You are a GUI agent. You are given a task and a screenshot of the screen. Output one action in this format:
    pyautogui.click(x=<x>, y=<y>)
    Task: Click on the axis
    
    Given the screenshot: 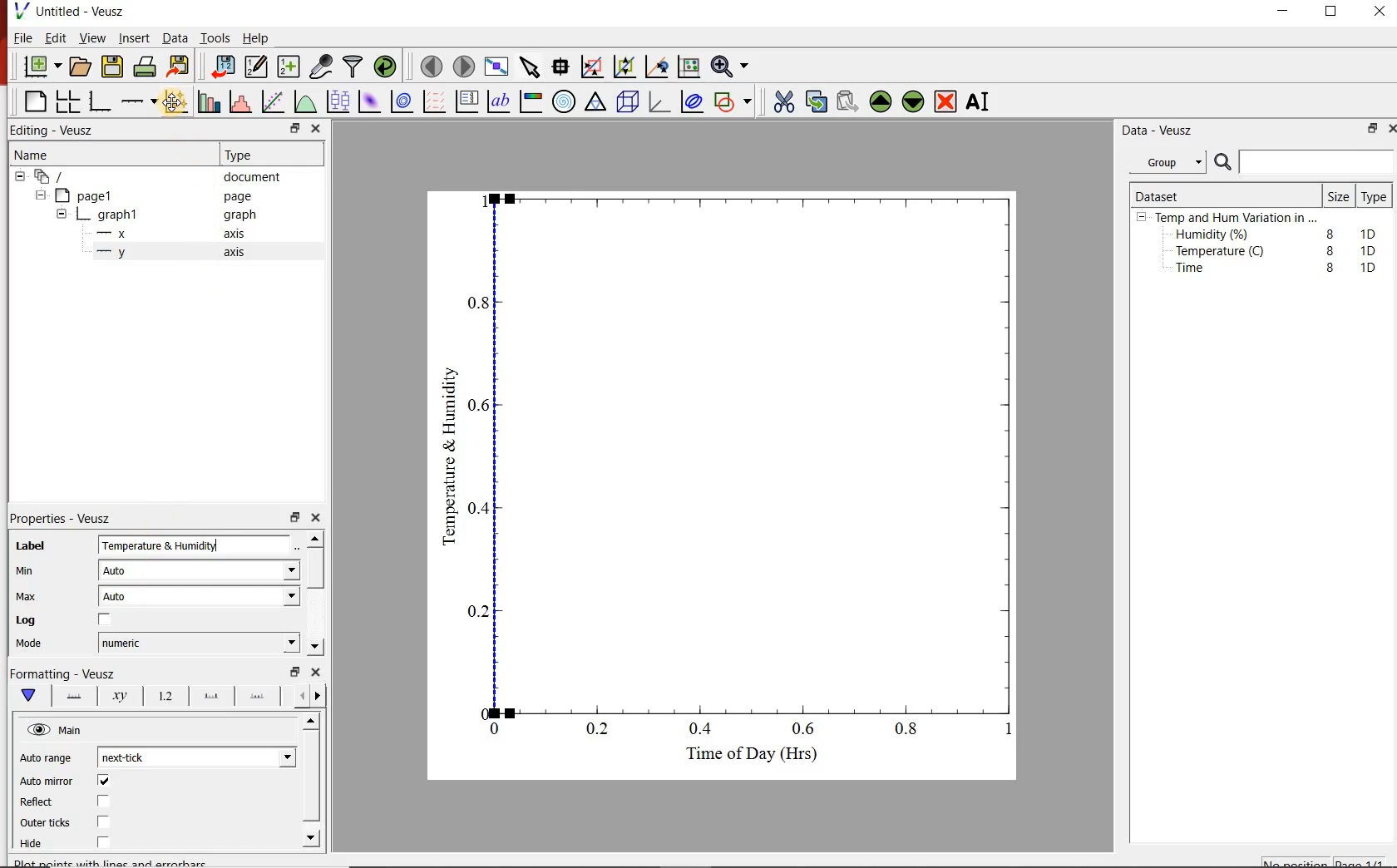 What is the action you would take?
    pyautogui.click(x=238, y=254)
    